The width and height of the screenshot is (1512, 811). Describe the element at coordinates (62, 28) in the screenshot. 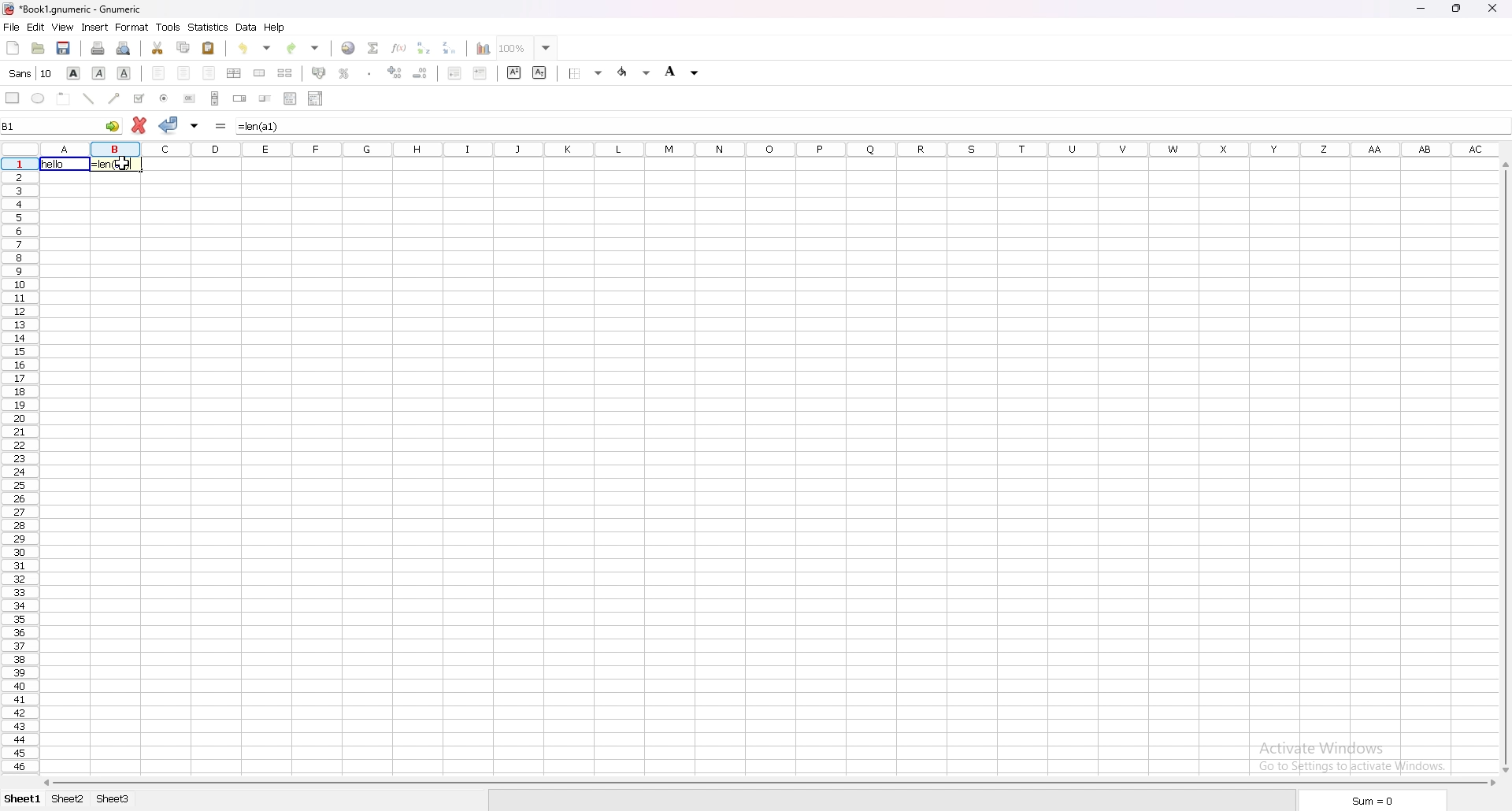

I see `view` at that location.